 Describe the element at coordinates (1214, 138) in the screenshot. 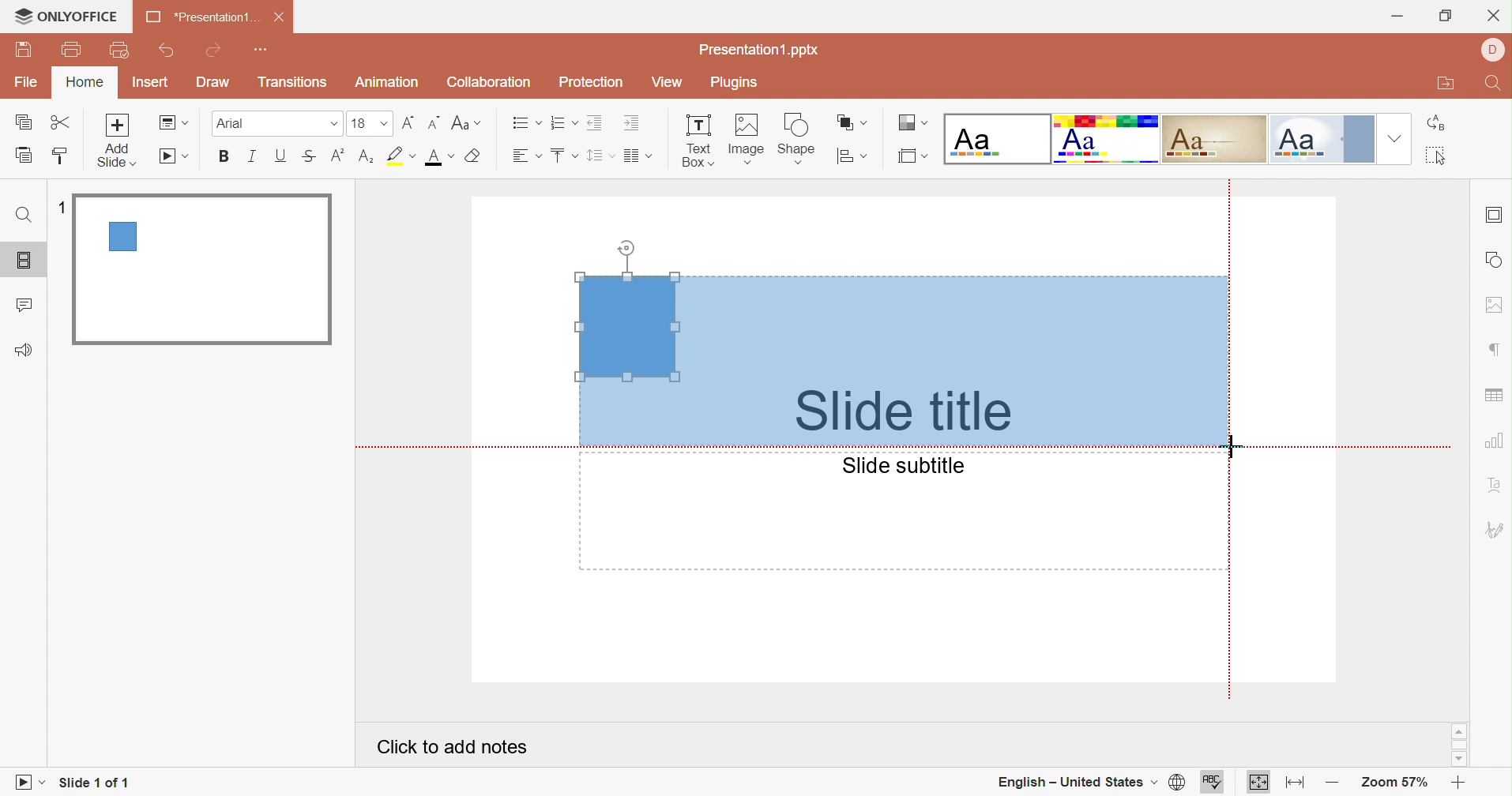

I see `Classic` at that location.